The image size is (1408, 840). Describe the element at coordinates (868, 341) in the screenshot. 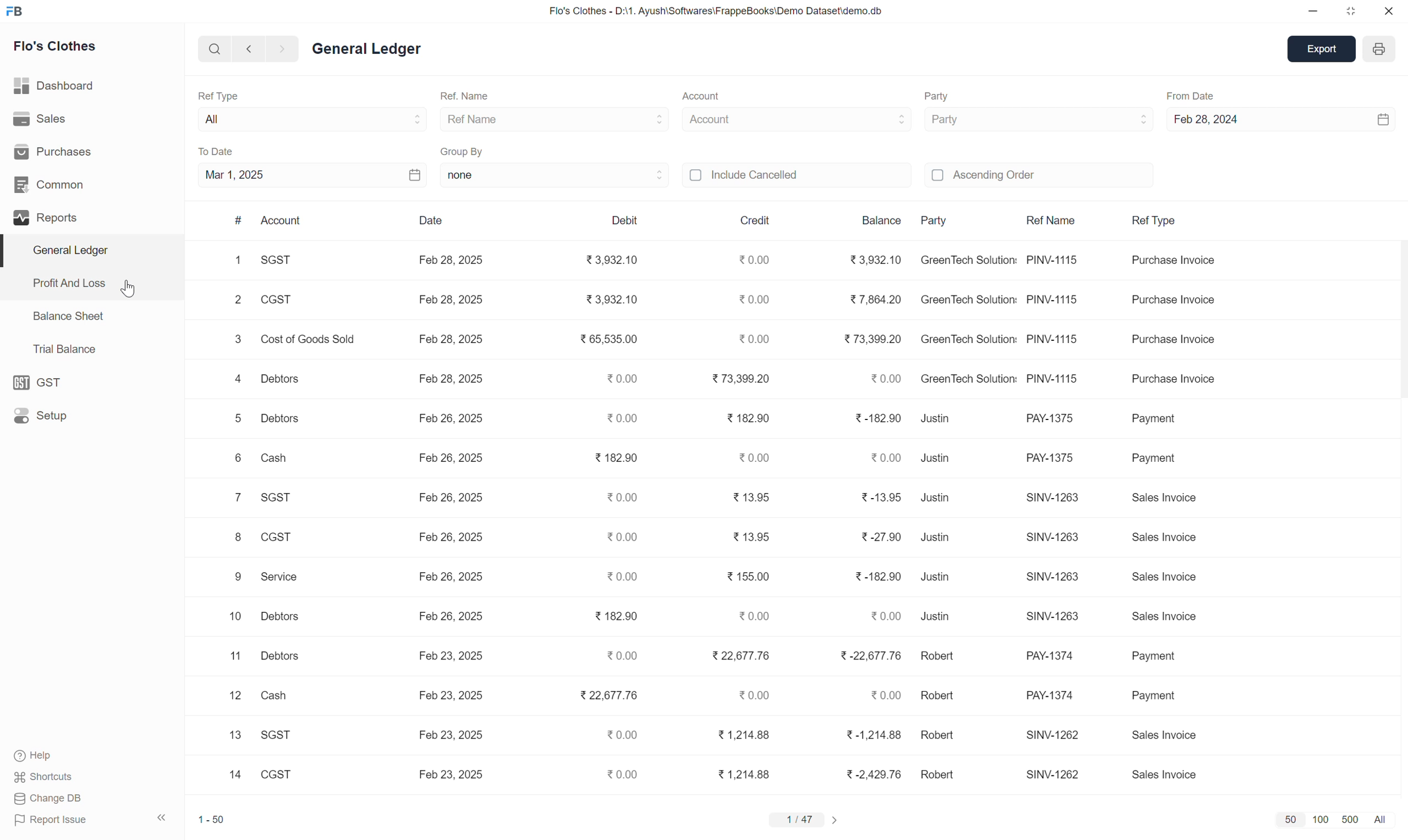

I see `₹73,399.20` at that location.